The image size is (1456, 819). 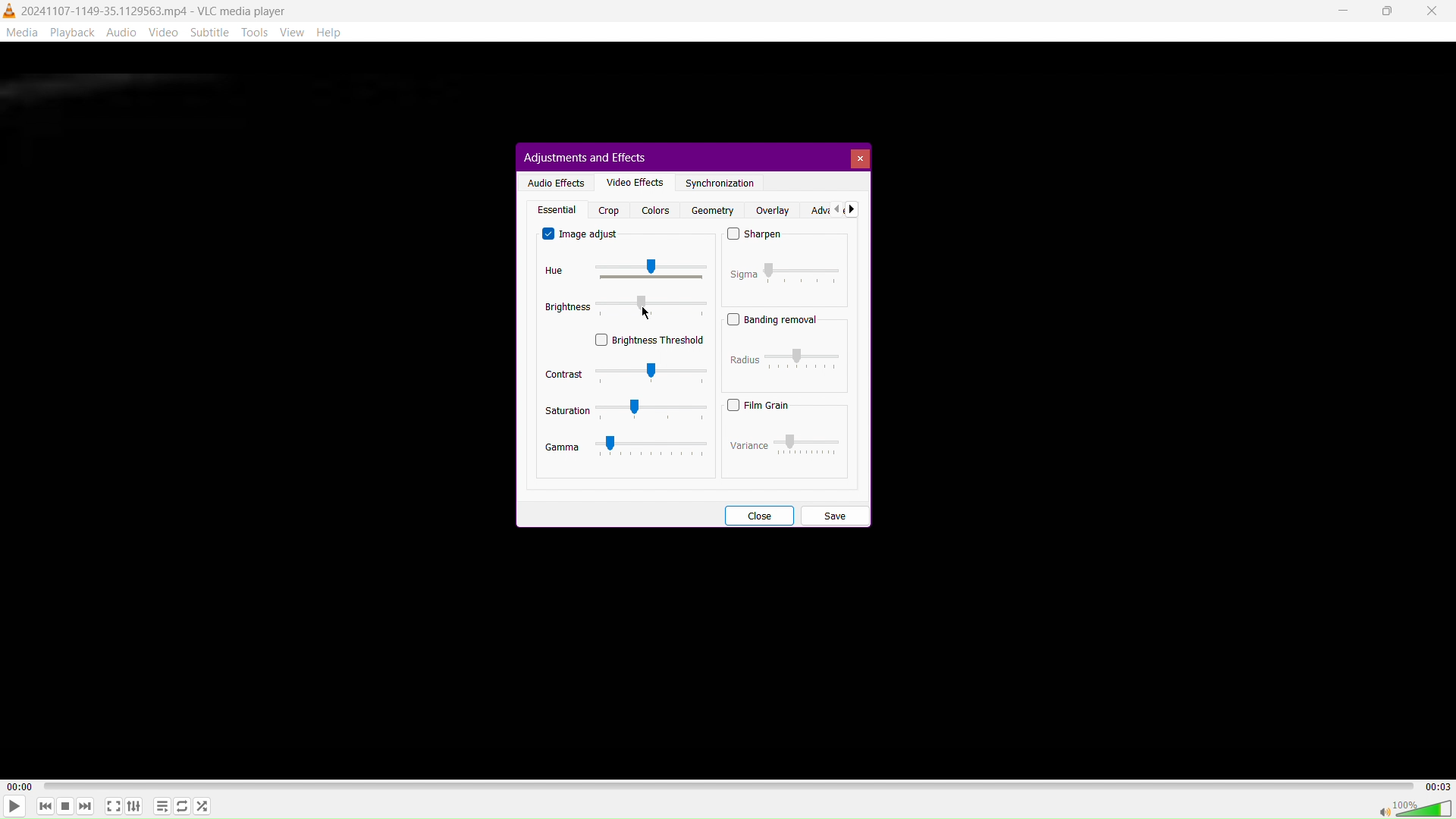 What do you see at coordinates (121, 32) in the screenshot?
I see `Audio` at bounding box center [121, 32].